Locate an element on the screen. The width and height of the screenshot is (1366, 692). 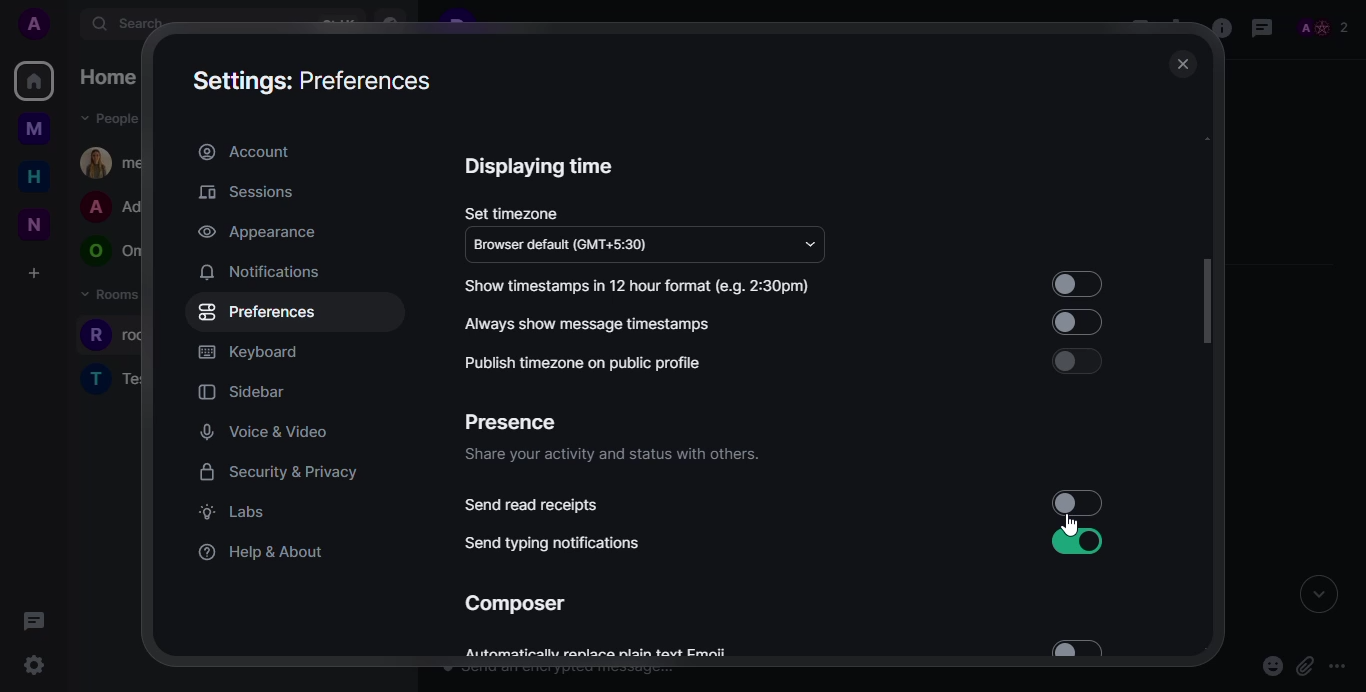
people dropdown is located at coordinates (113, 119).